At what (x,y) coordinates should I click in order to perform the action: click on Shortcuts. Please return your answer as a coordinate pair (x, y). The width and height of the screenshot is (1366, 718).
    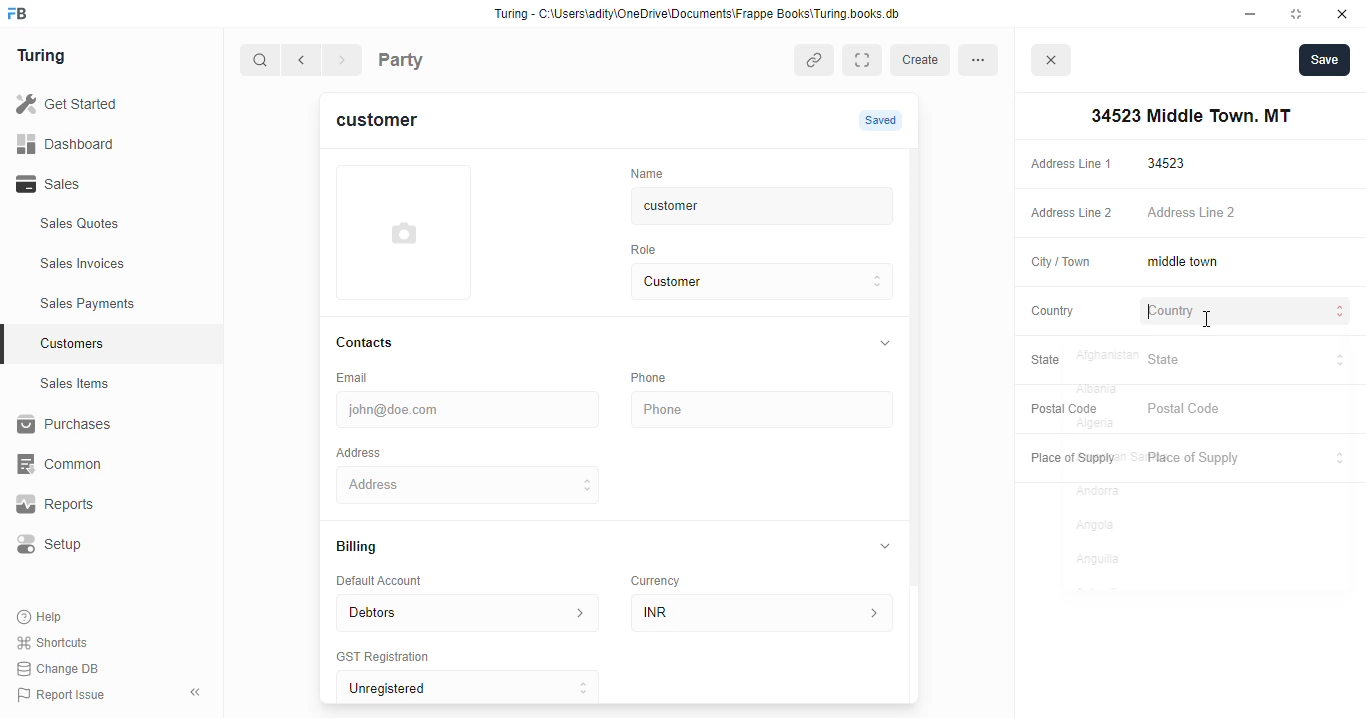
    Looking at the image, I should click on (58, 643).